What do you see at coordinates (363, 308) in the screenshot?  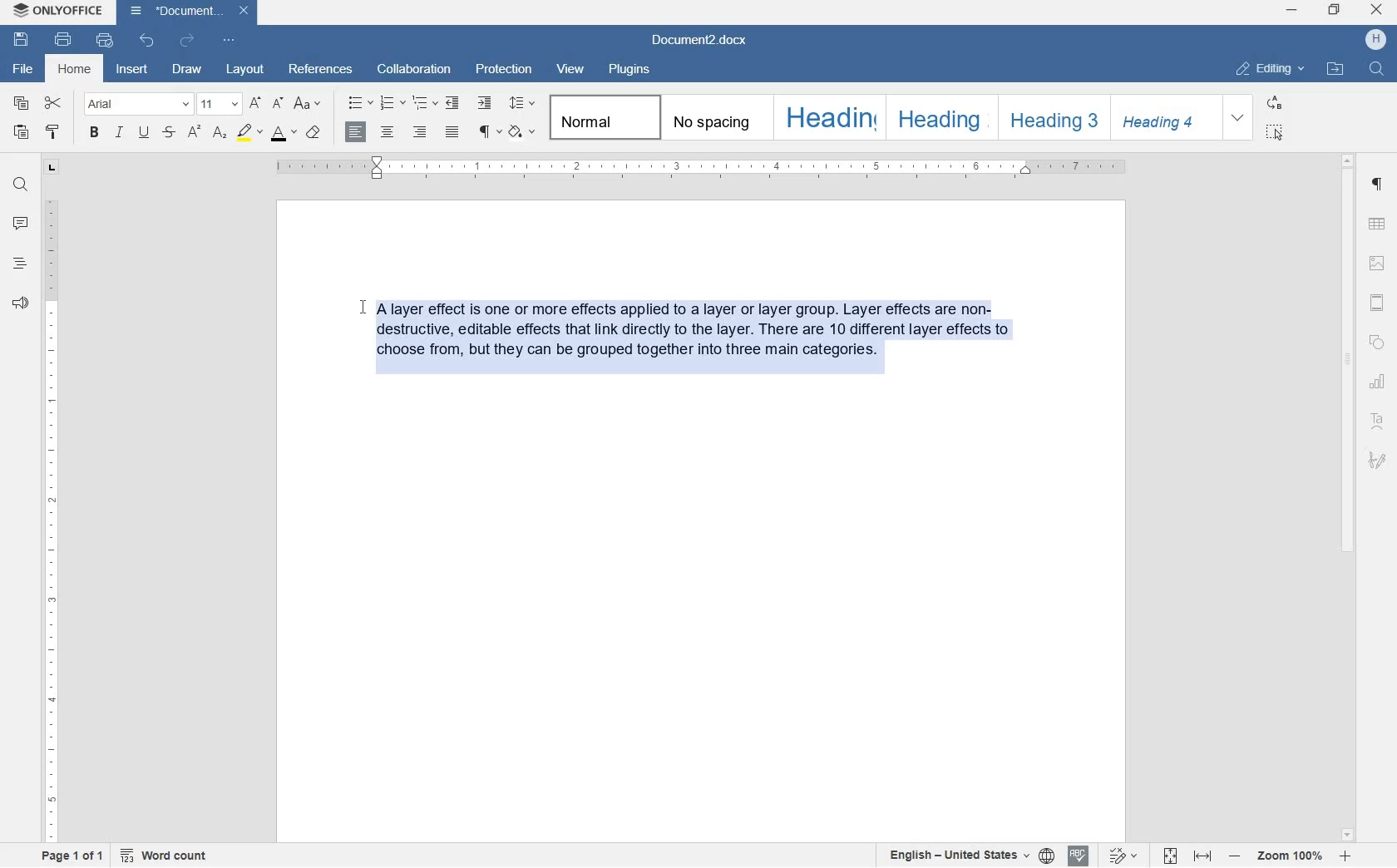 I see `cursor` at bounding box center [363, 308].